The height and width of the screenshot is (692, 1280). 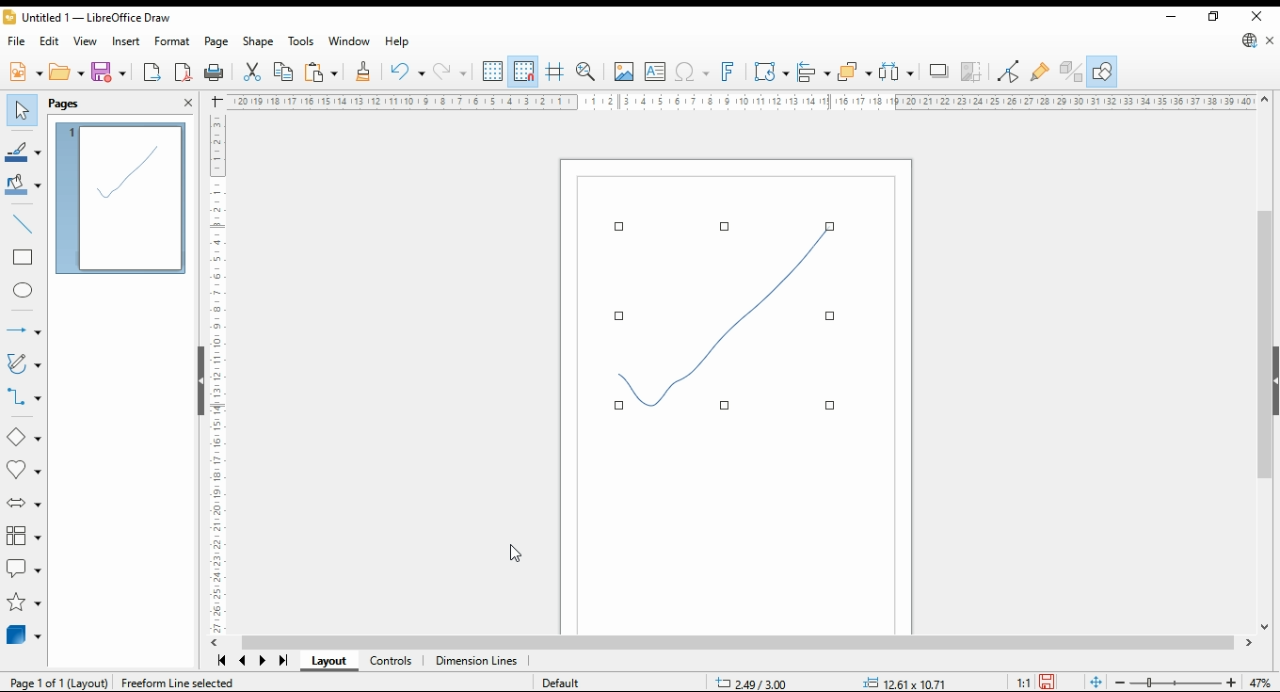 I want to click on restore, so click(x=1213, y=17).